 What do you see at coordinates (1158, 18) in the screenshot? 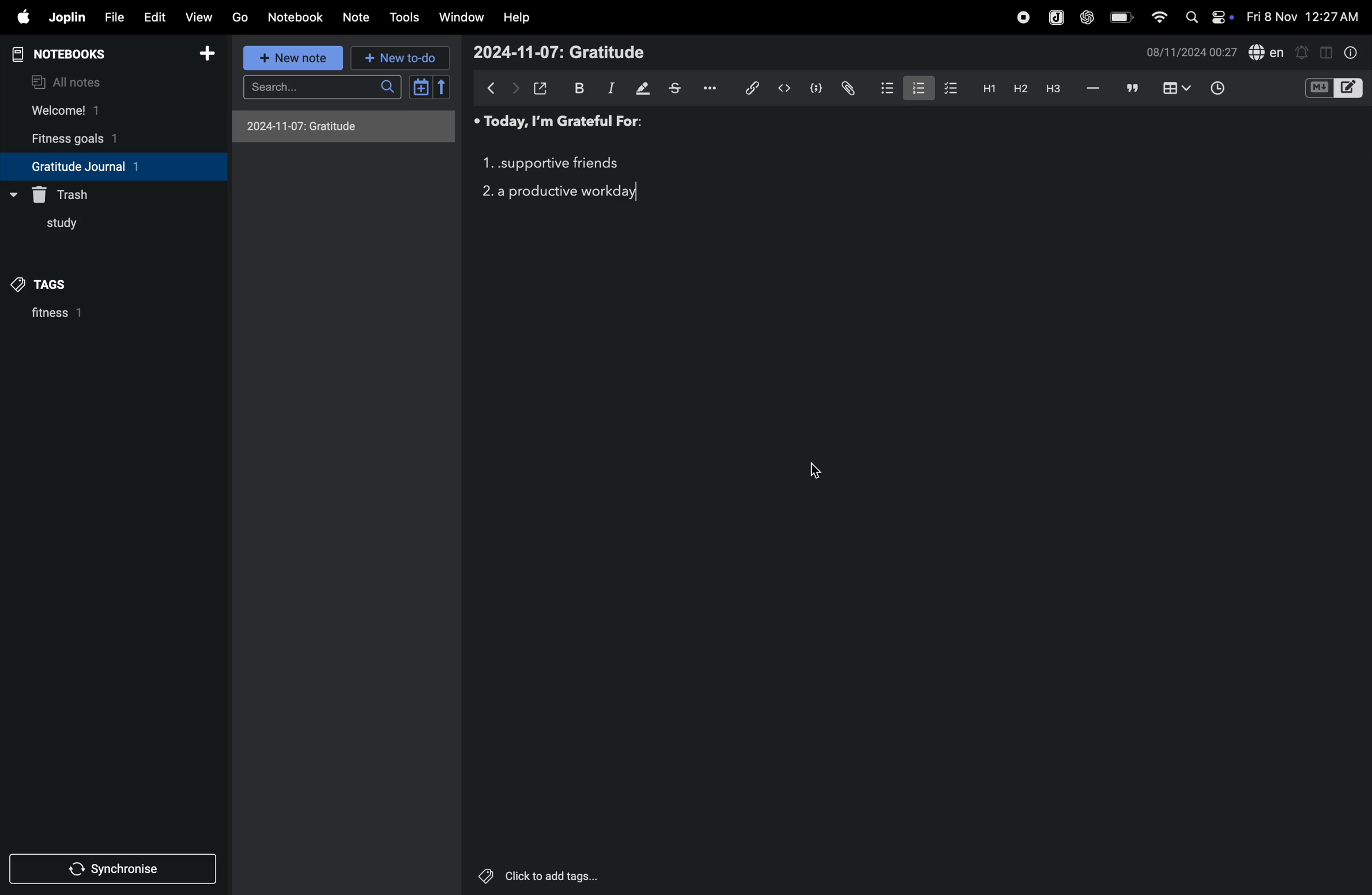
I see `wifi` at bounding box center [1158, 18].